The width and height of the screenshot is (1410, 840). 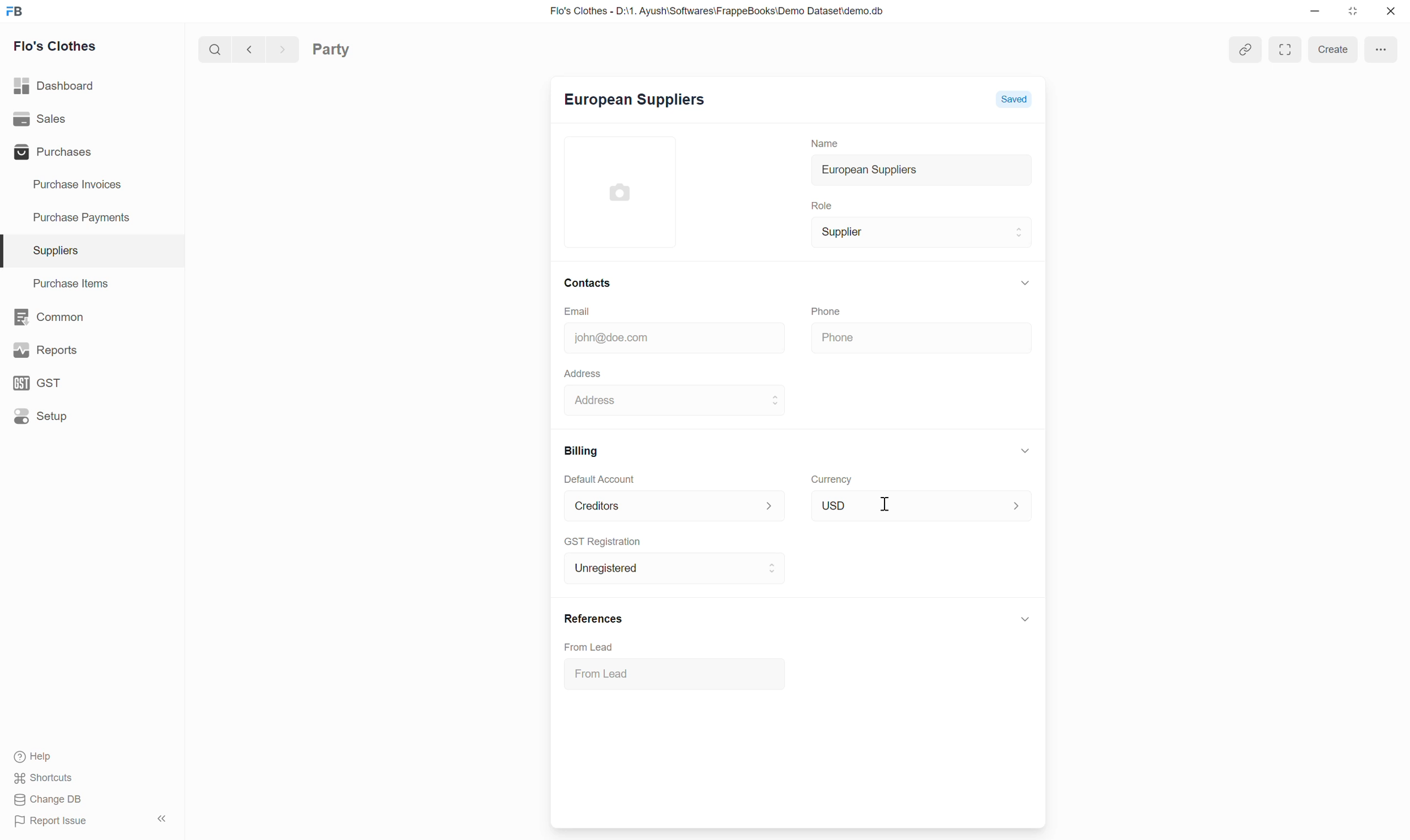 I want to click on Reports, so click(x=41, y=344).